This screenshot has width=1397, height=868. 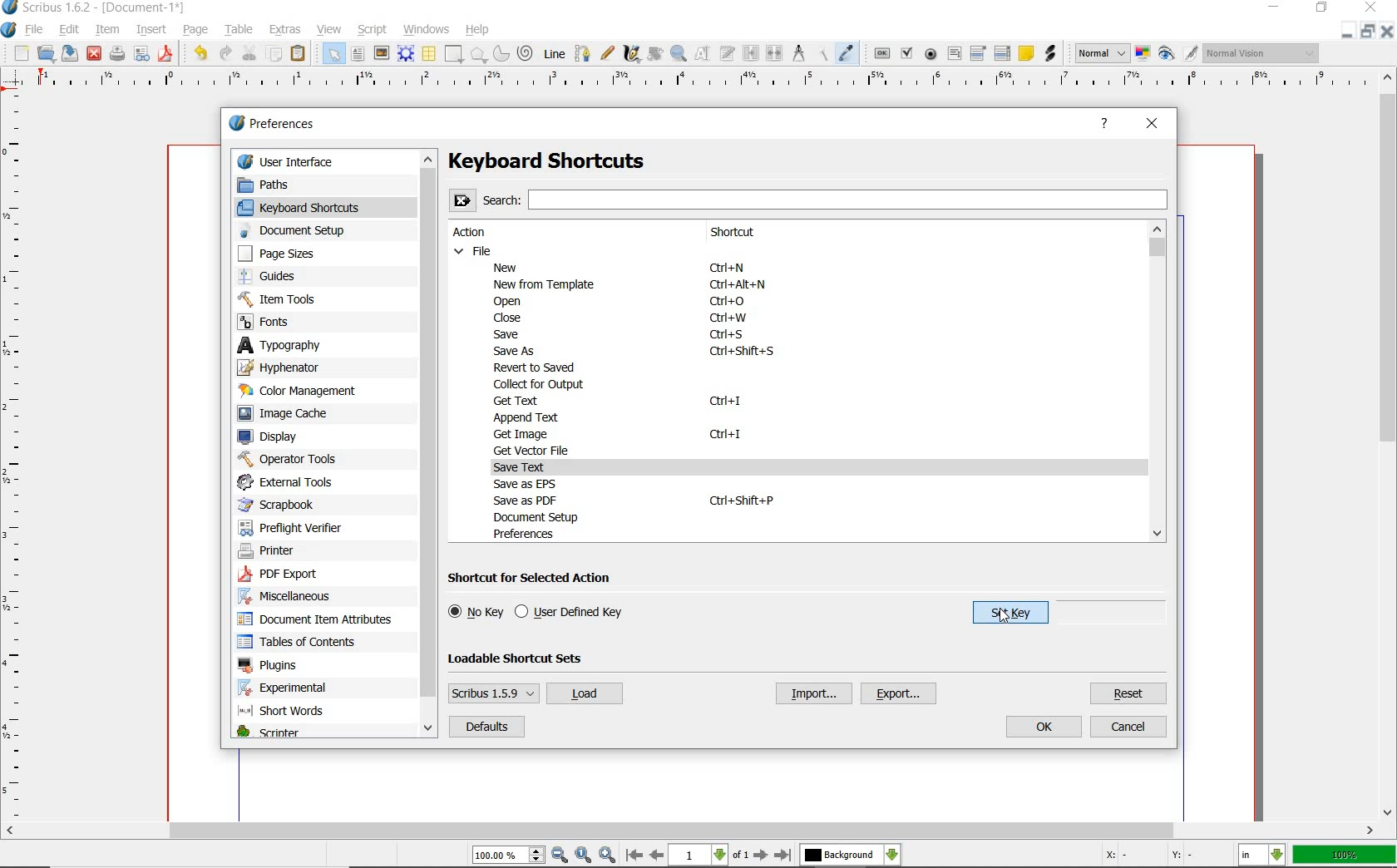 I want to click on measurements, so click(x=801, y=55).